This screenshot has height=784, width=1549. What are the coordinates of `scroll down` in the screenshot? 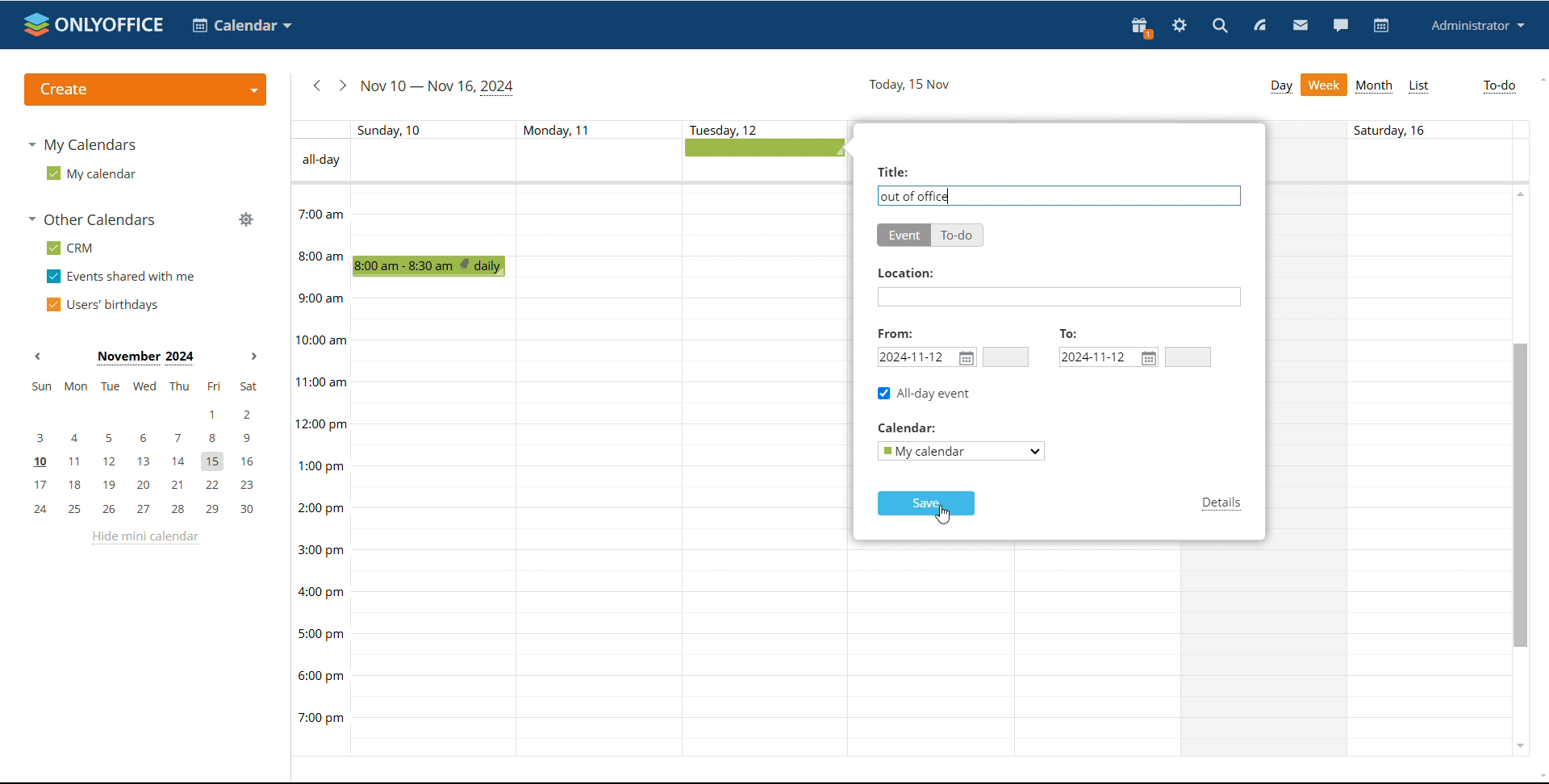 It's located at (1520, 746).